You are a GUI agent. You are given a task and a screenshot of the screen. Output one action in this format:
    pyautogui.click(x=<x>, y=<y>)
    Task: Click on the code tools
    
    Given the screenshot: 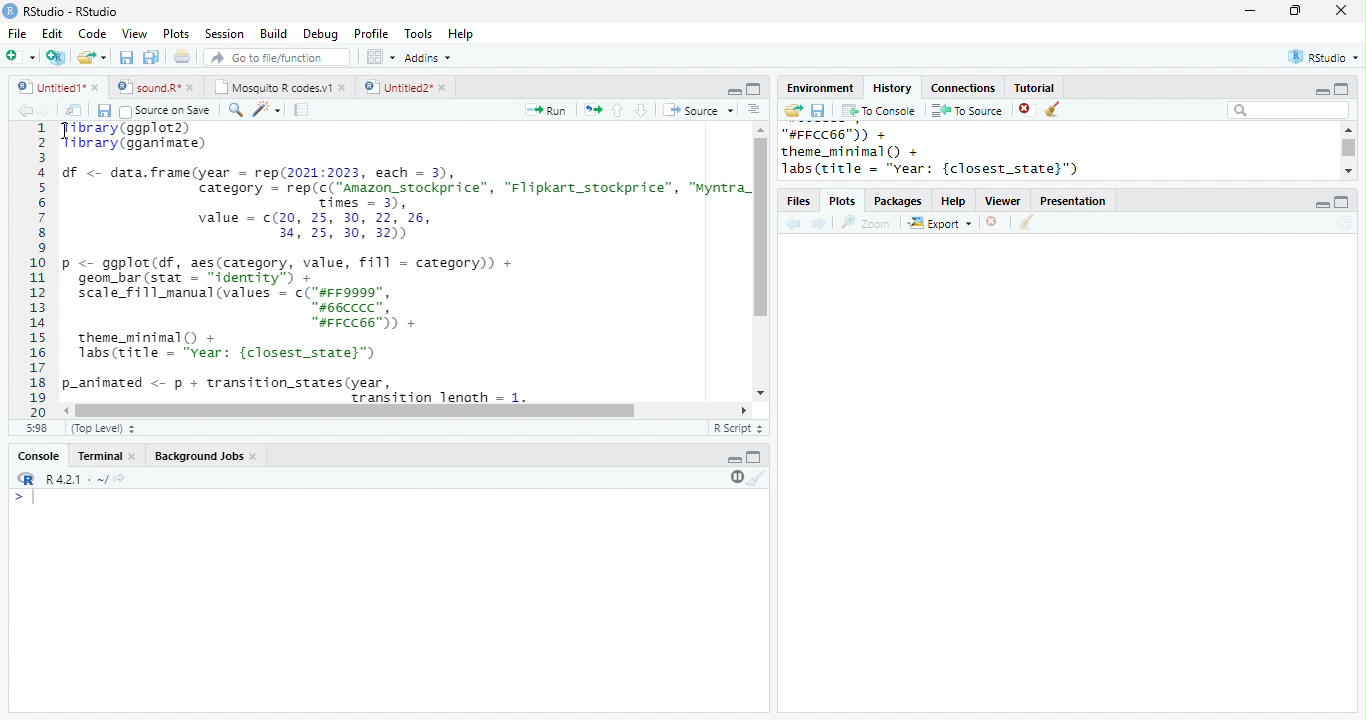 What is the action you would take?
    pyautogui.click(x=266, y=109)
    